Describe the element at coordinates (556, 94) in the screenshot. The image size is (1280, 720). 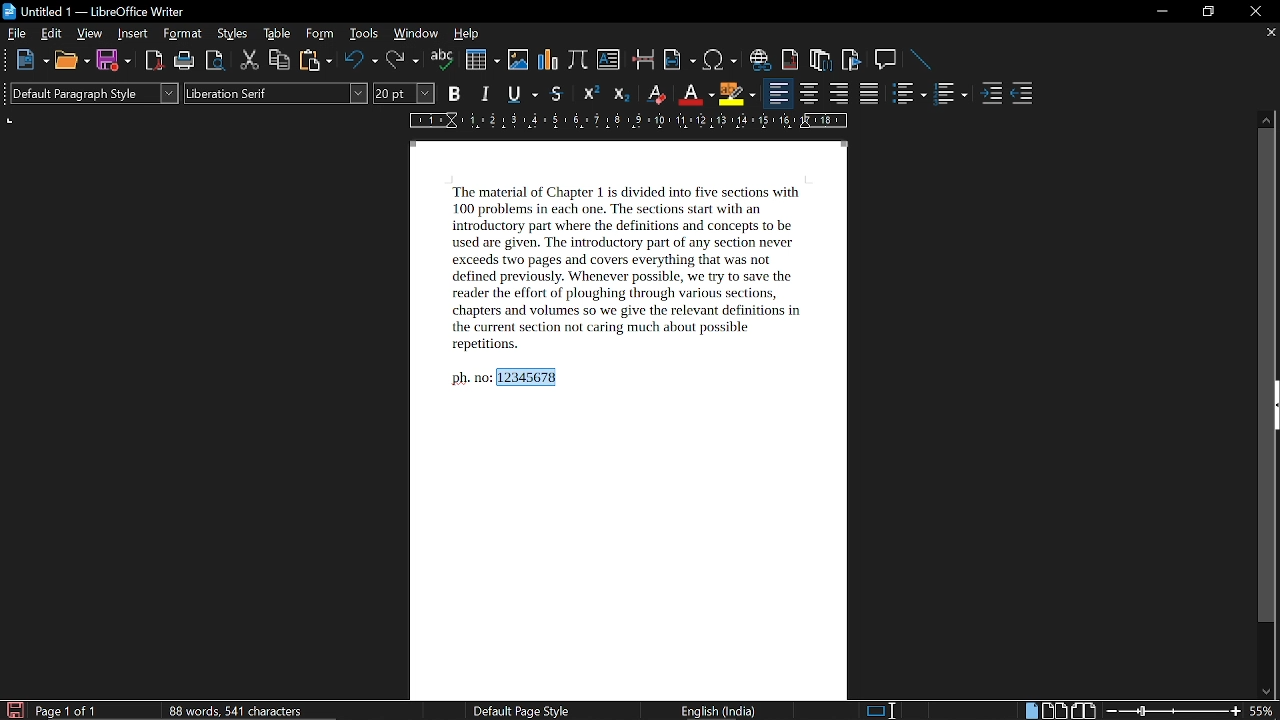
I see `strikethrough` at that location.